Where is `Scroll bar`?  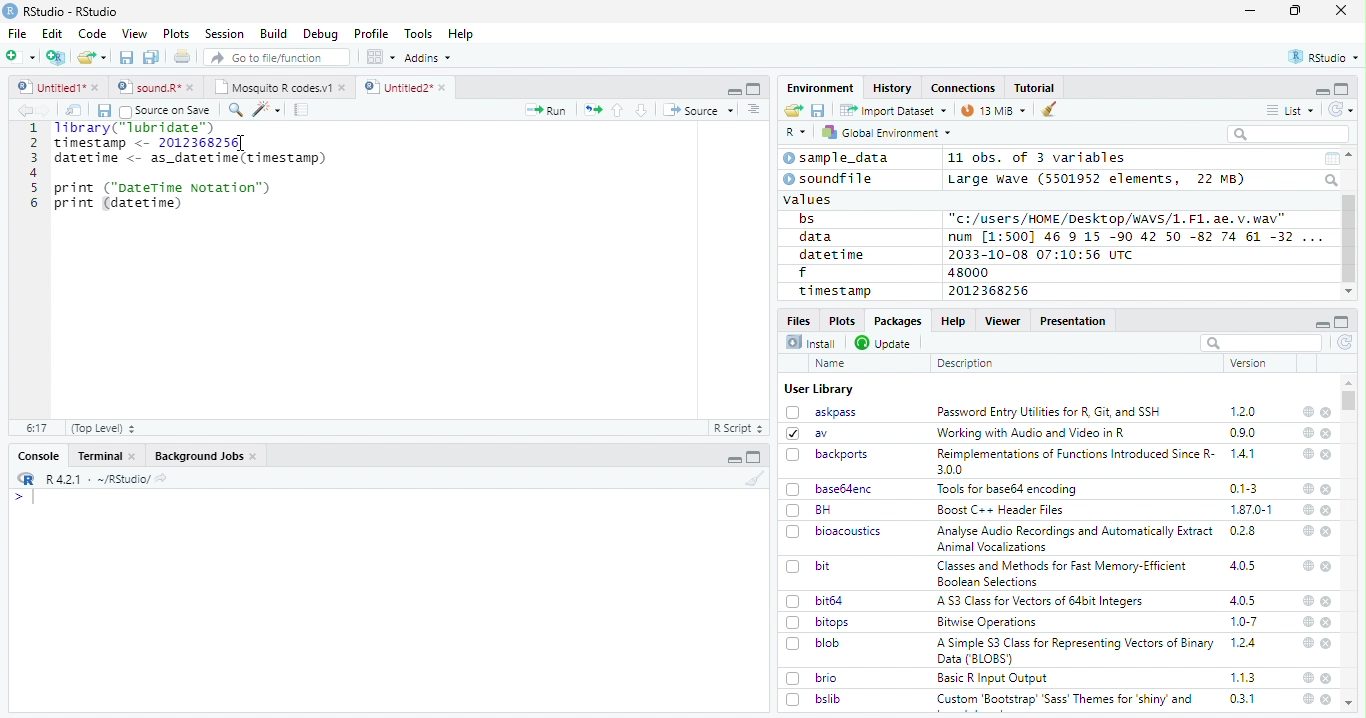
Scroll bar is located at coordinates (1350, 239).